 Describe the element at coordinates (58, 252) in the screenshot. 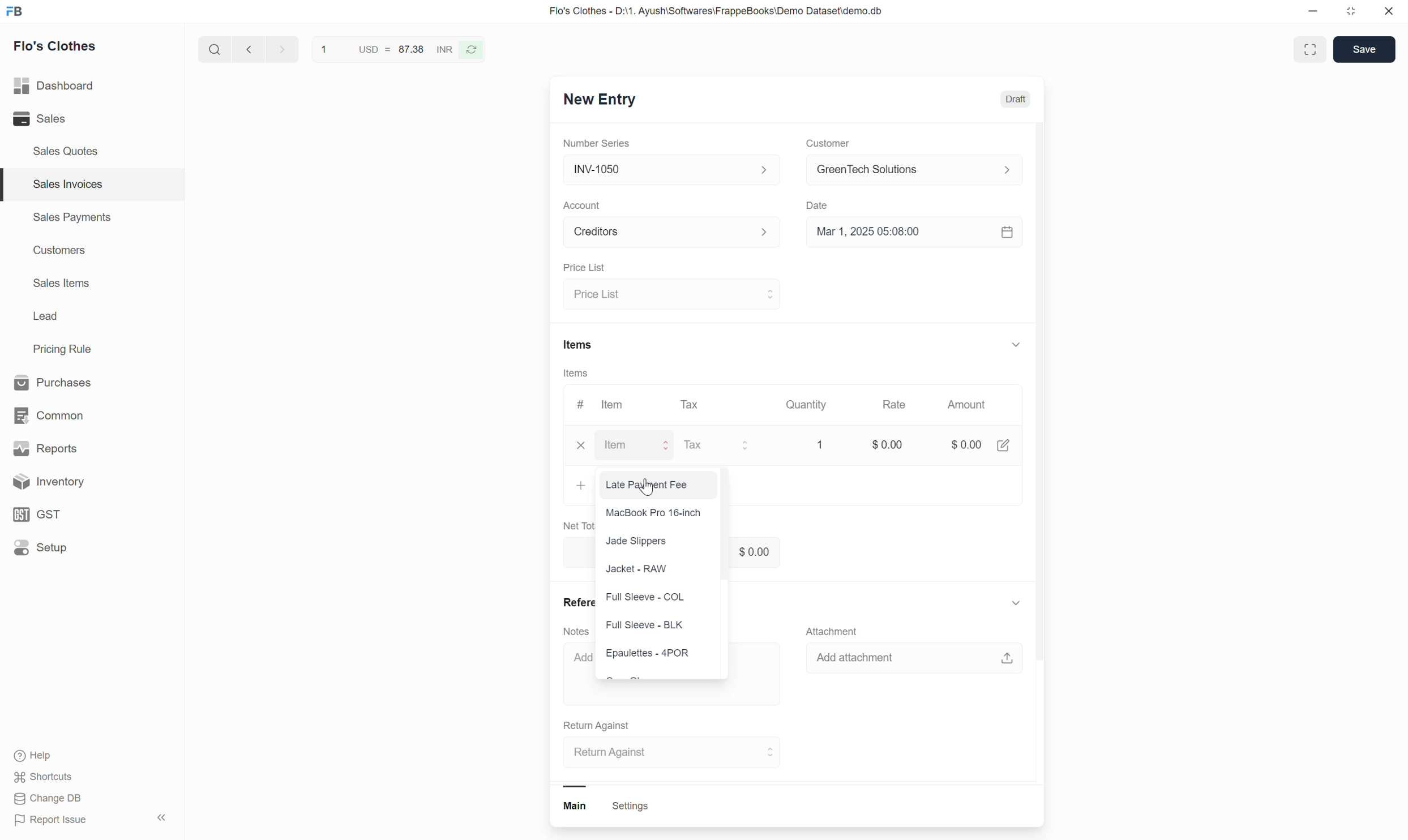

I see `Customers` at that location.